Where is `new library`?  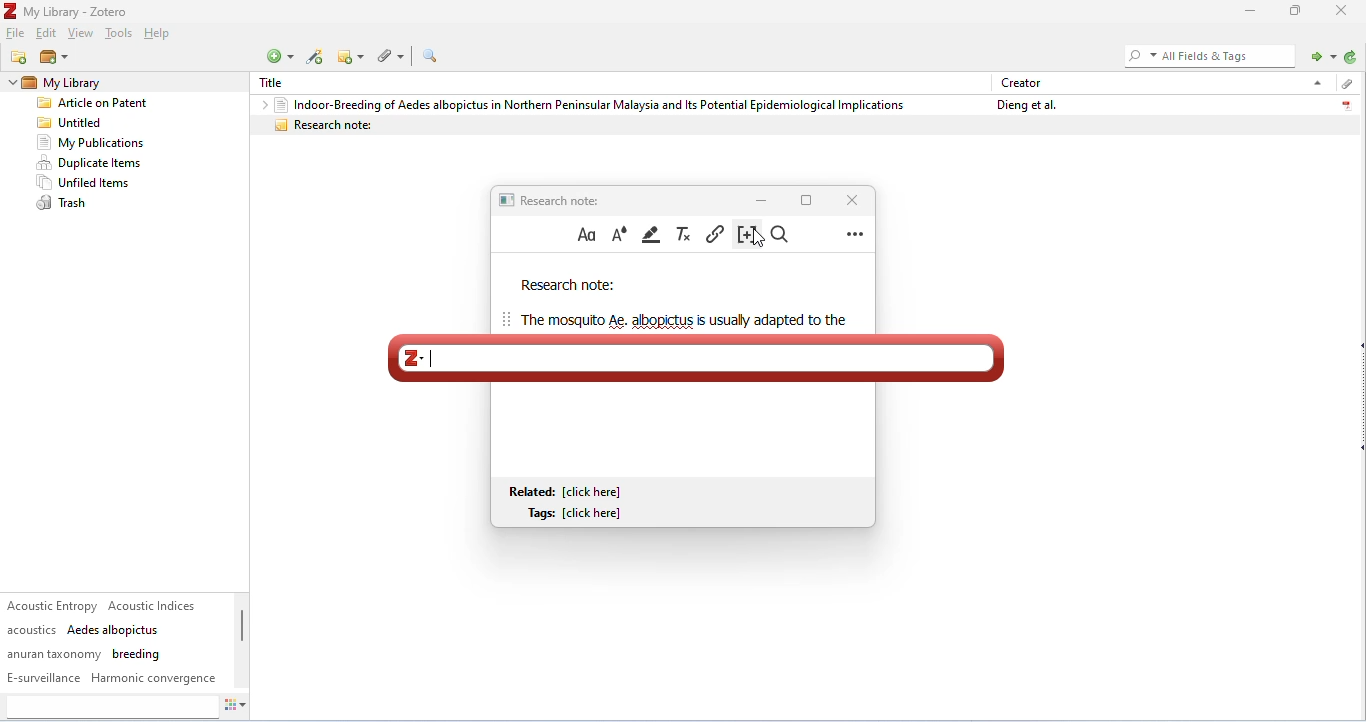 new library is located at coordinates (53, 58).